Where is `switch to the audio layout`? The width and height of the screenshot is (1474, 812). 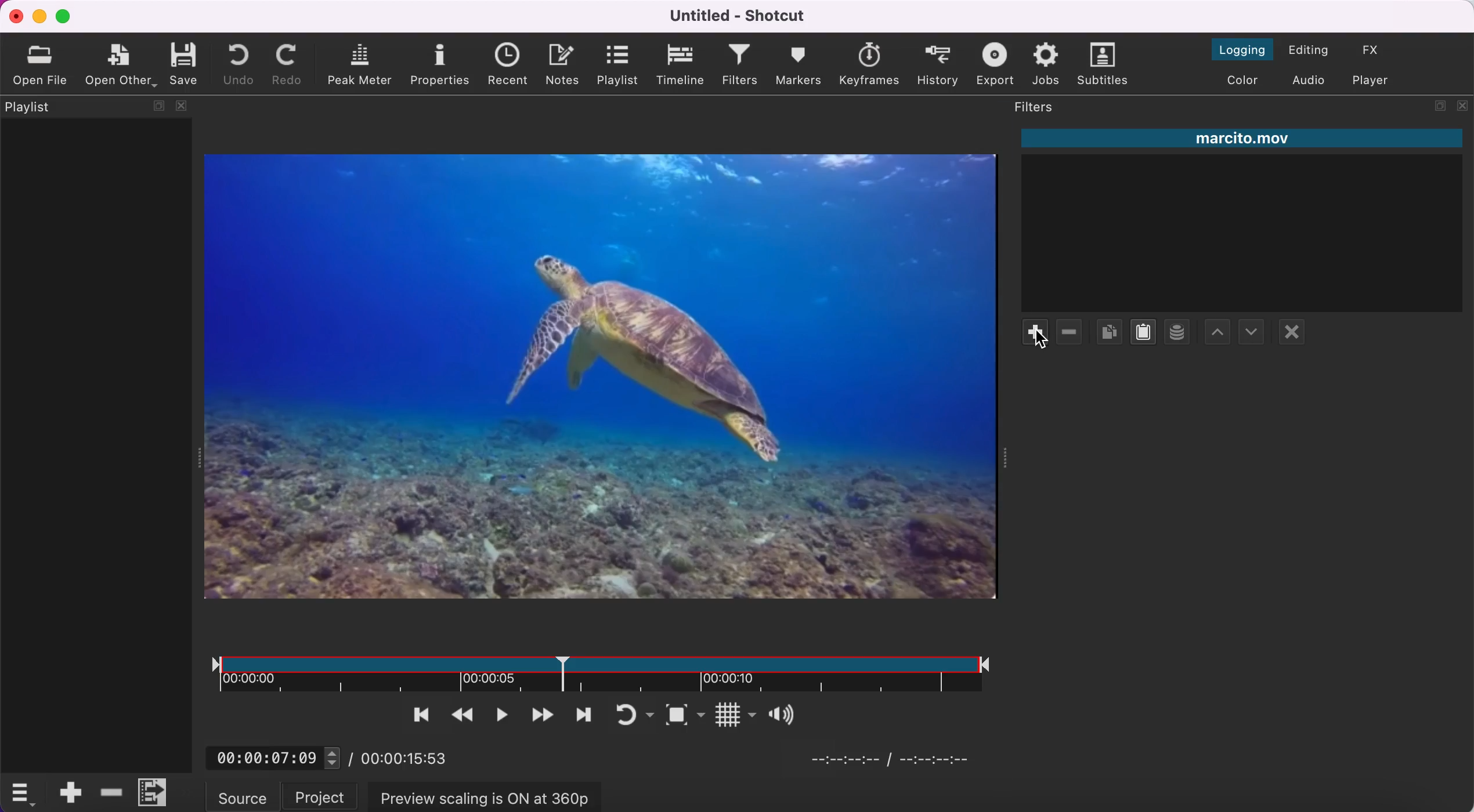
switch to the audio layout is located at coordinates (1309, 80).